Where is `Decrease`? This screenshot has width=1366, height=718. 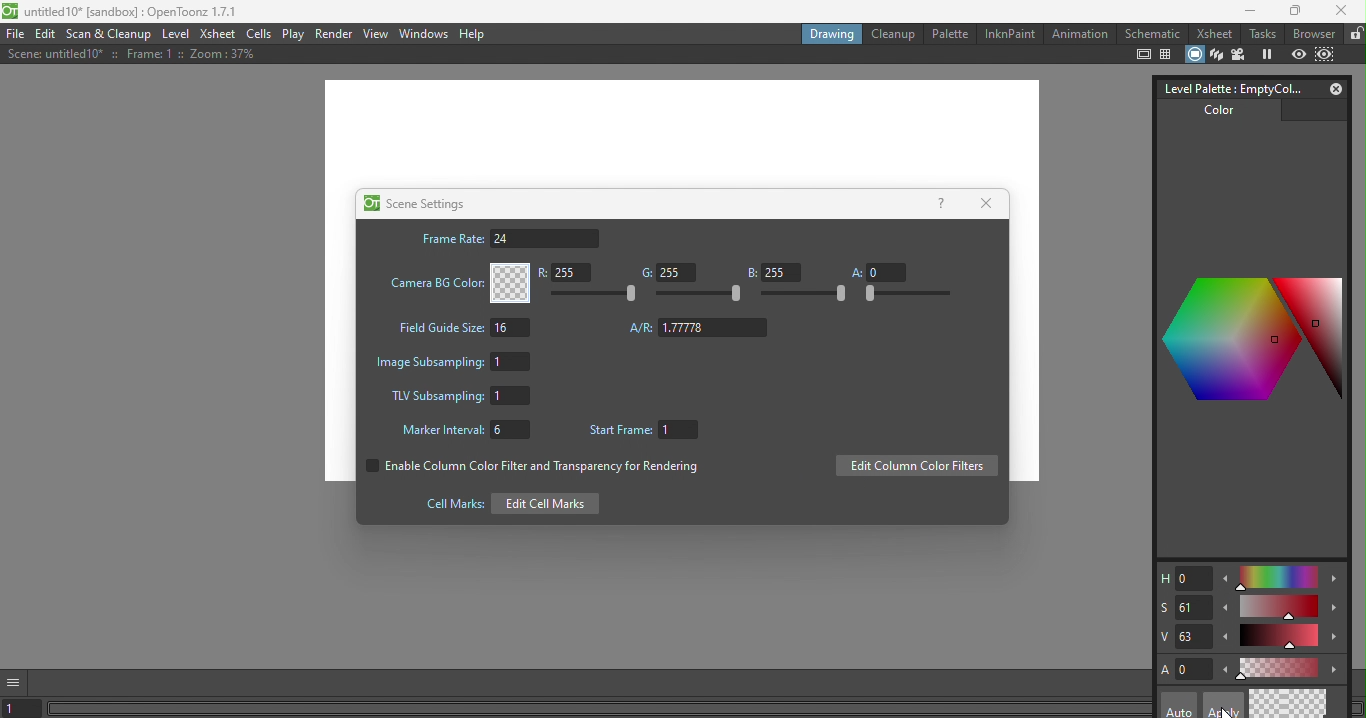 Decrease is located at coordinates (1227, 639).